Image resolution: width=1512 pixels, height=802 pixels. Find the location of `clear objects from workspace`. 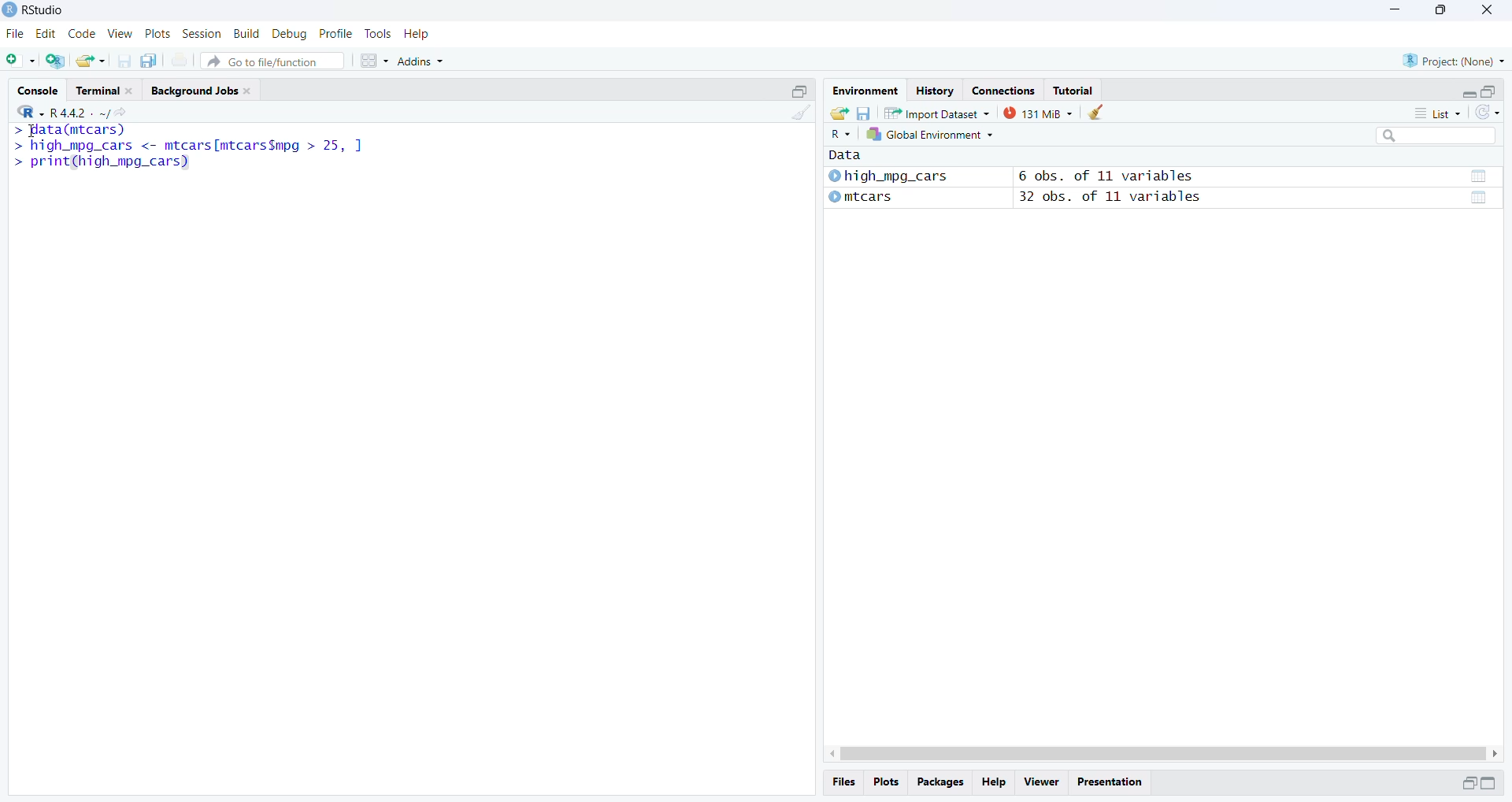

clear objects from workspace is located at coordinates (1095, 112).